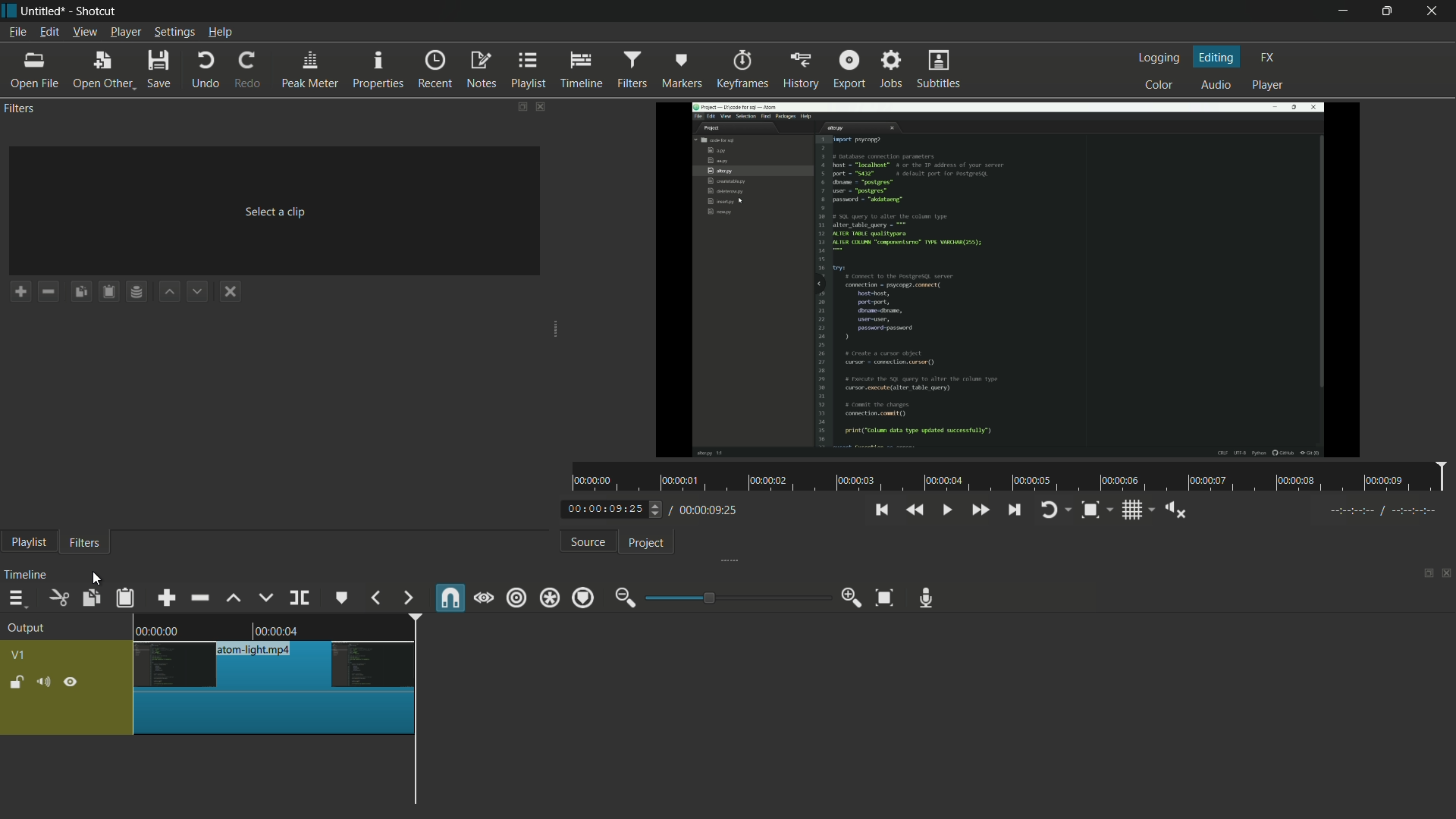  What do you see at coordinates (125, 32) in the screenshot?
I see `player menu` at bounding box center [125, 32].